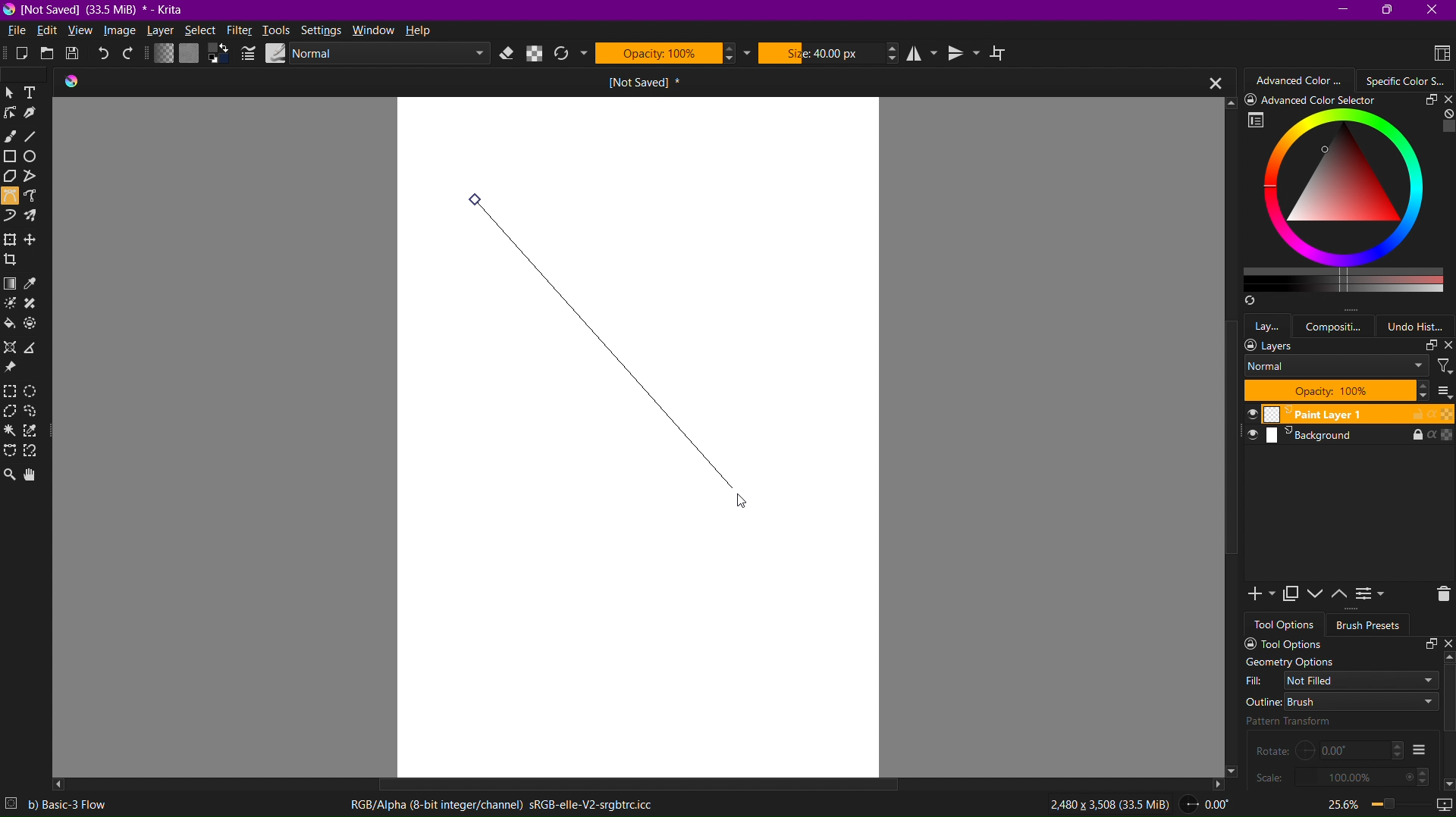 This screenshot has height=817, width=1456. Describe the element at coordinates (10, 473) in the screenshot. I see `Zoom Tool` at that location.